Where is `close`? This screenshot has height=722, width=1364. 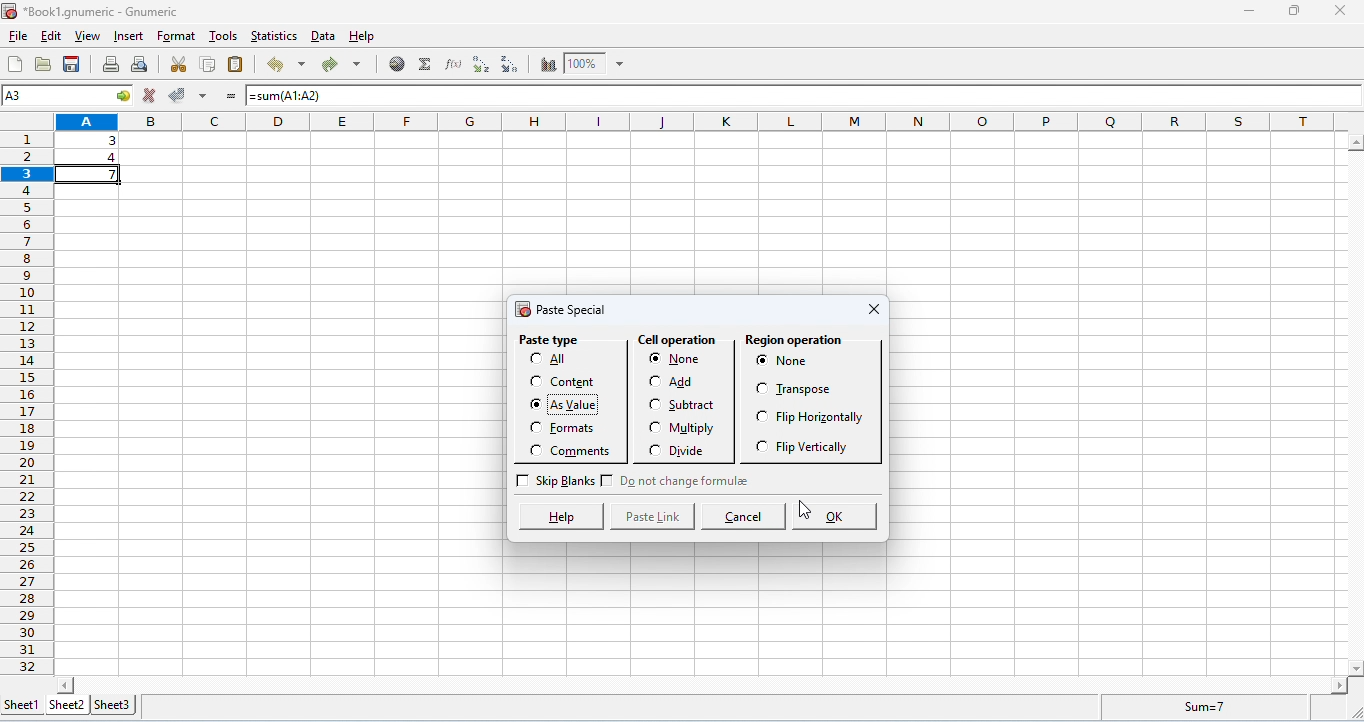 close is located at coordinates (871, 309).